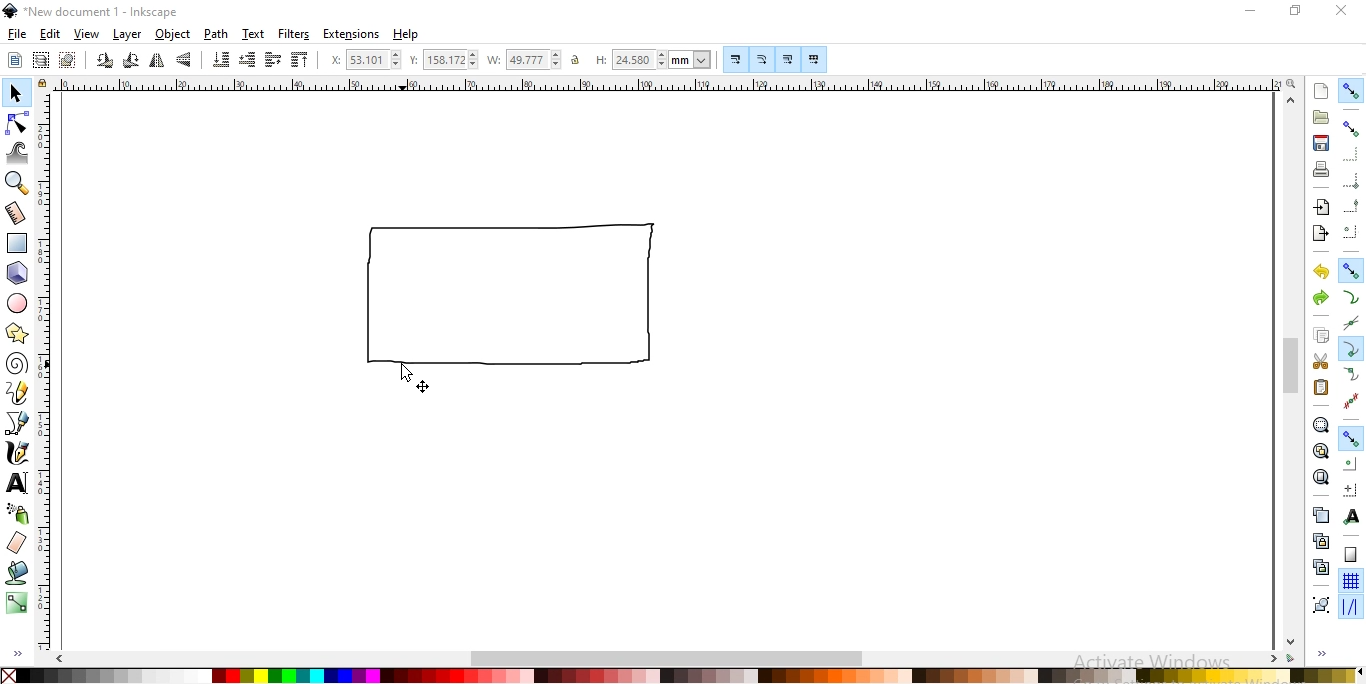  Describe the element at coordinates (1289, 84) in the screenshot. I see `zoom` at that location.